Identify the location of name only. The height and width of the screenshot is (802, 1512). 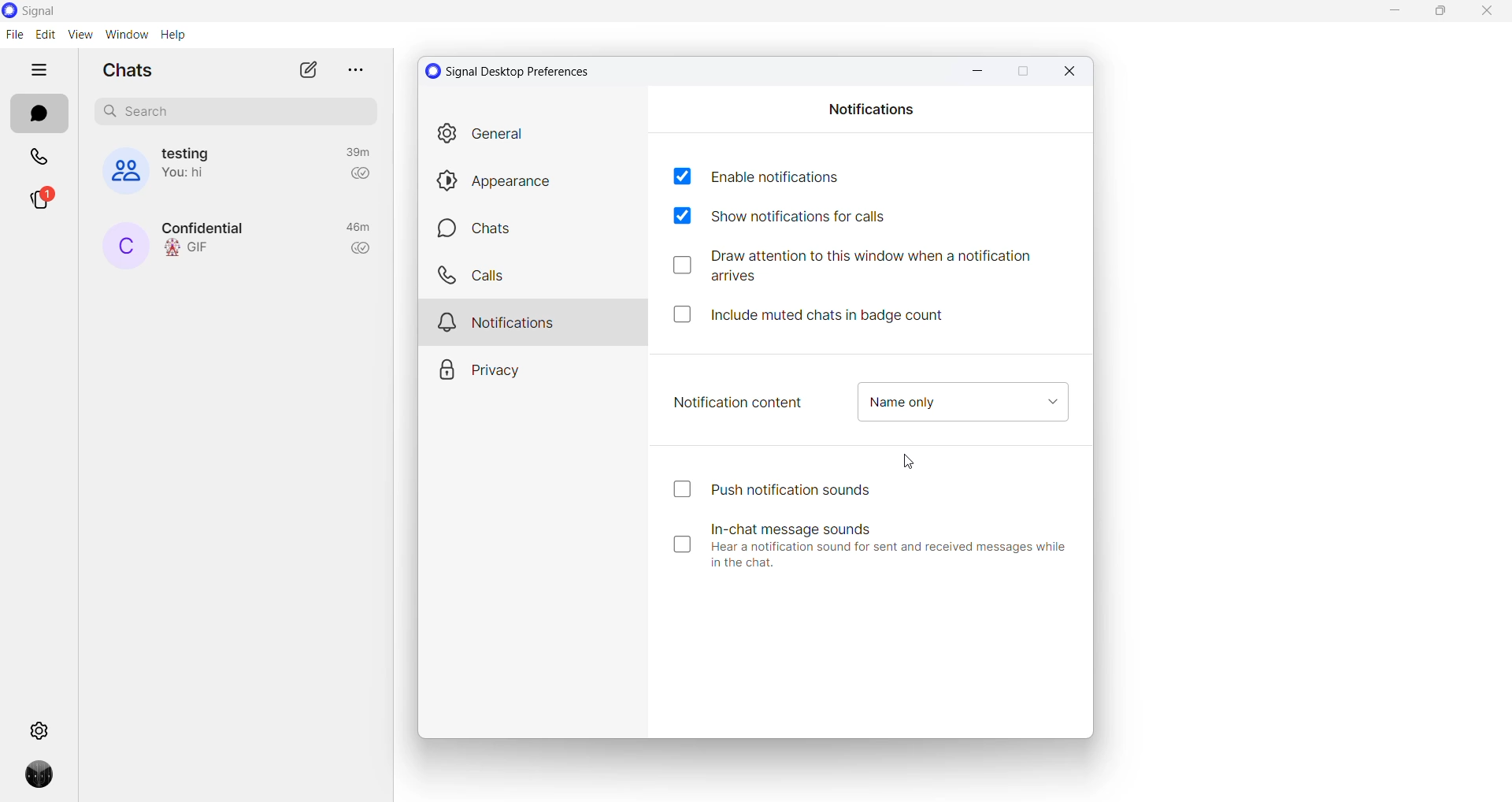
(962, 403).